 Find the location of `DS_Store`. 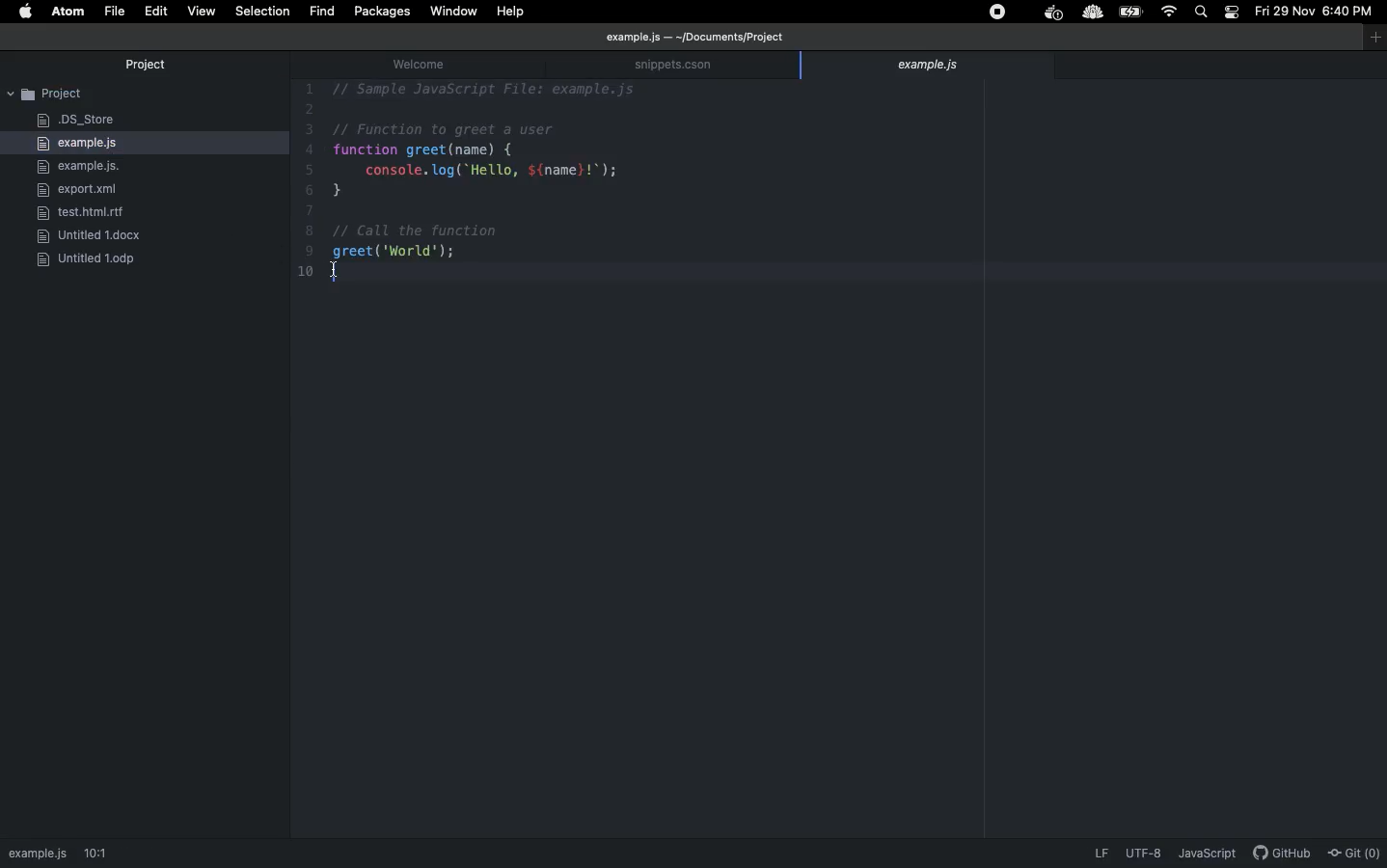

DS_Store is located at coordinates (76, 122).